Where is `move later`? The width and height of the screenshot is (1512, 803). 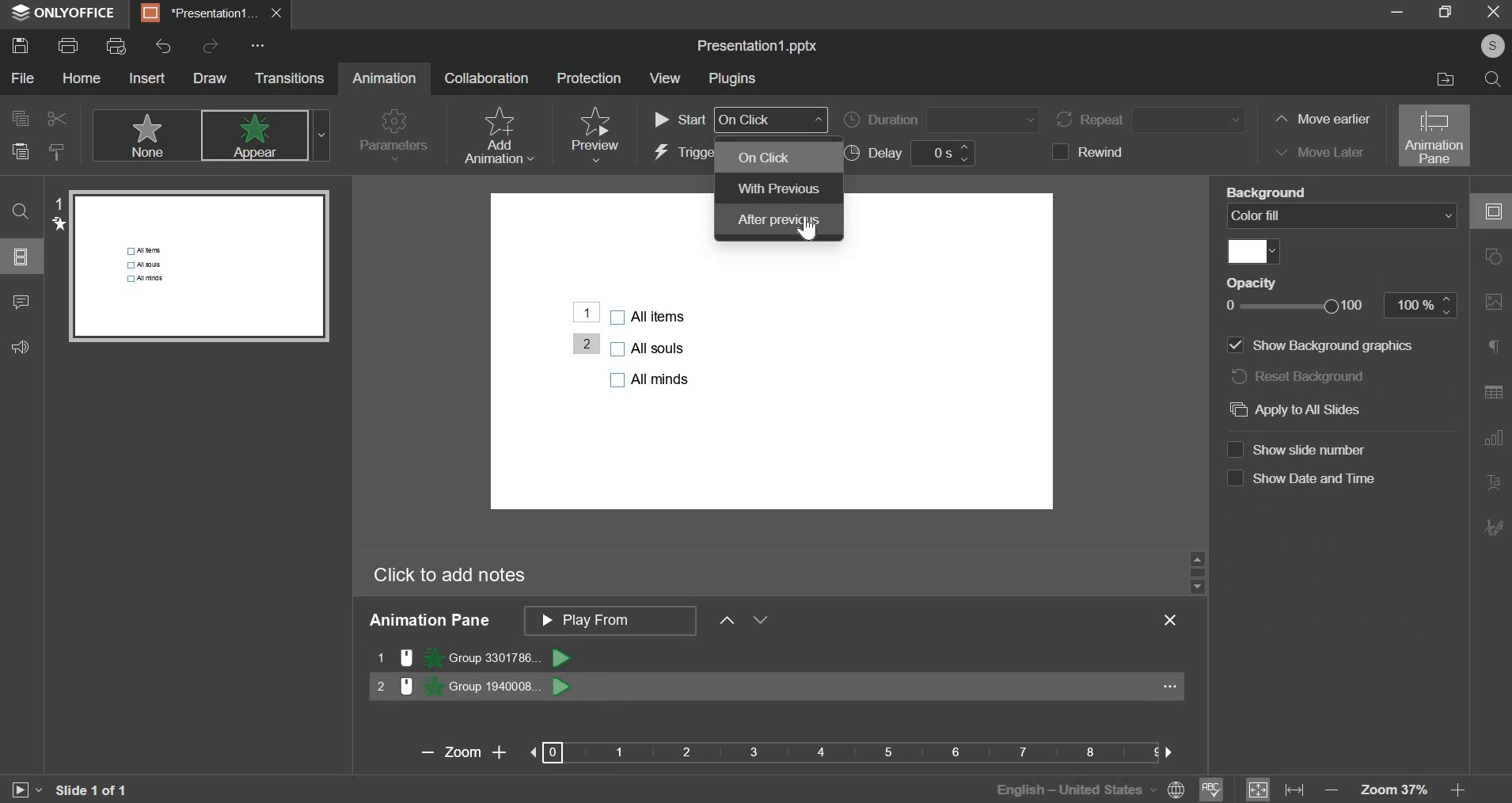
move later is located at coordinates (1316, 150).